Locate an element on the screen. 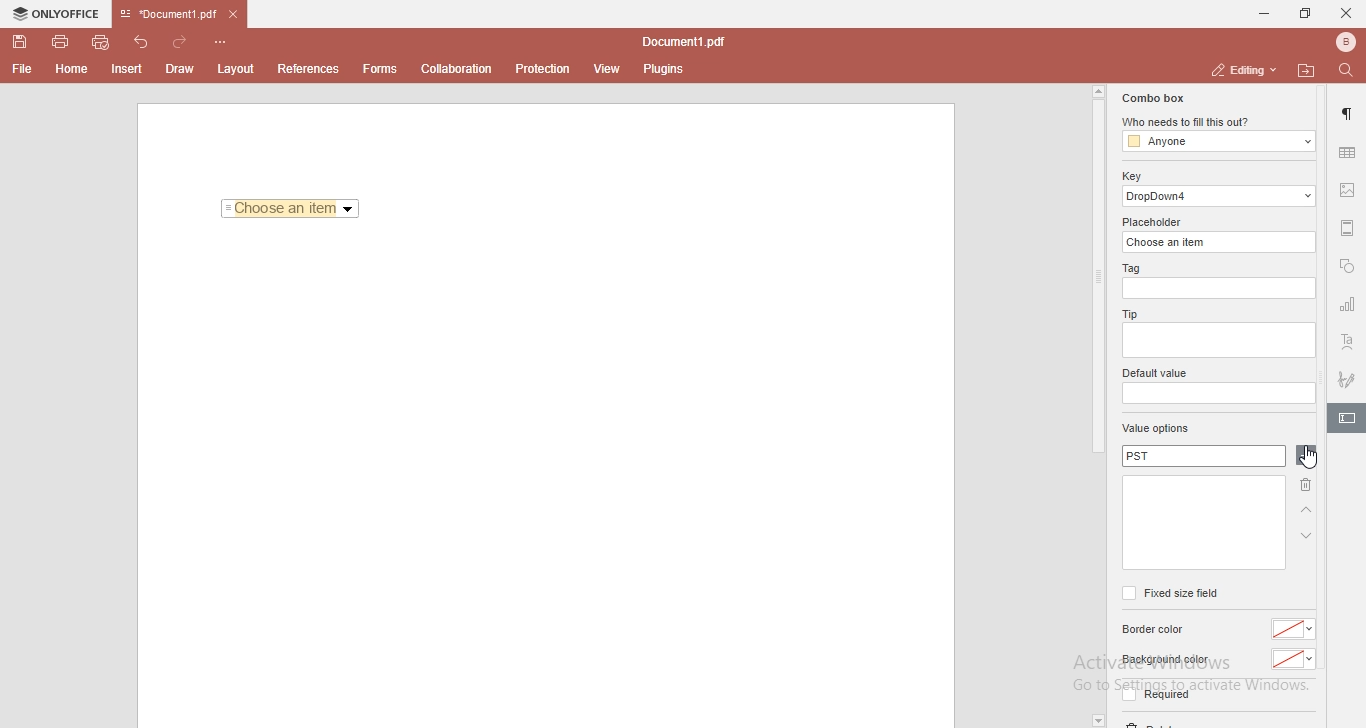  fixed size field is located at coordinates (1169, 593).